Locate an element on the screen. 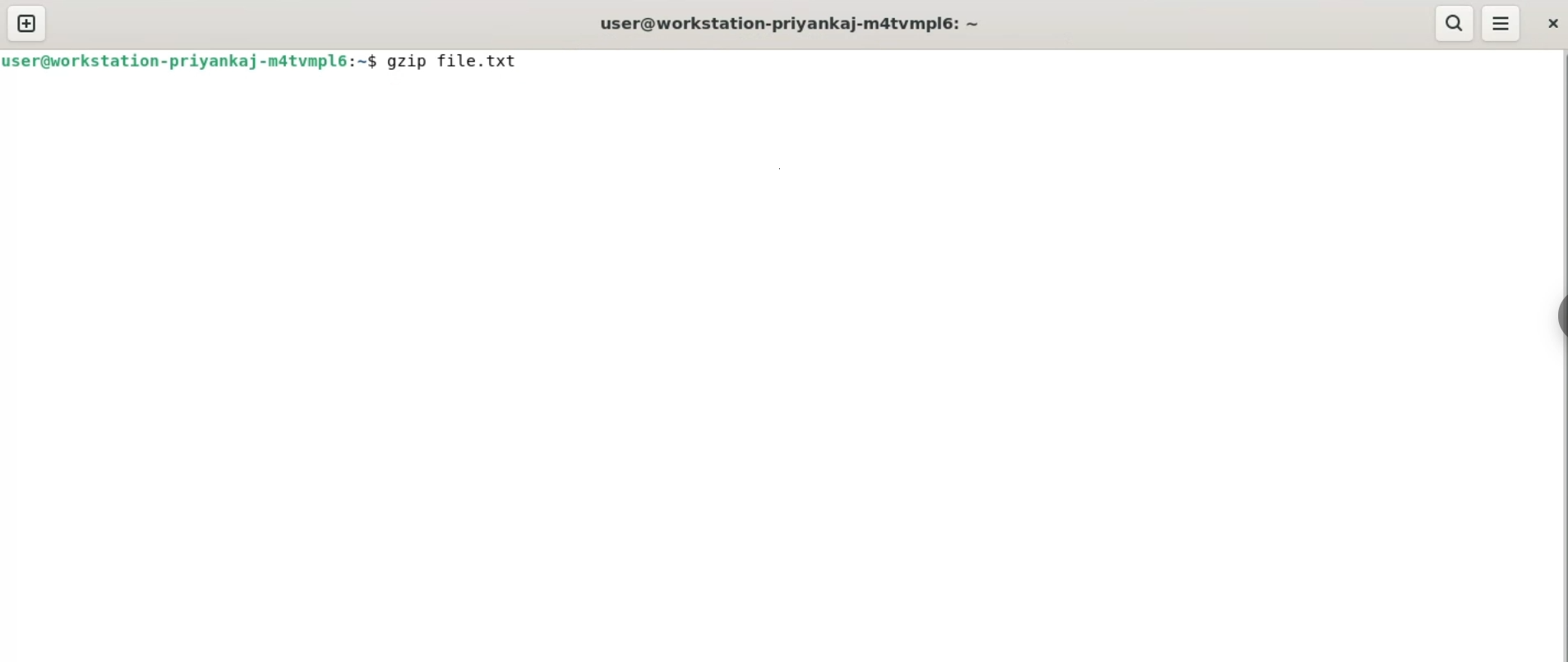 This screenshot has width=1568, height=662. new tab is located at coordinates (29, 23).